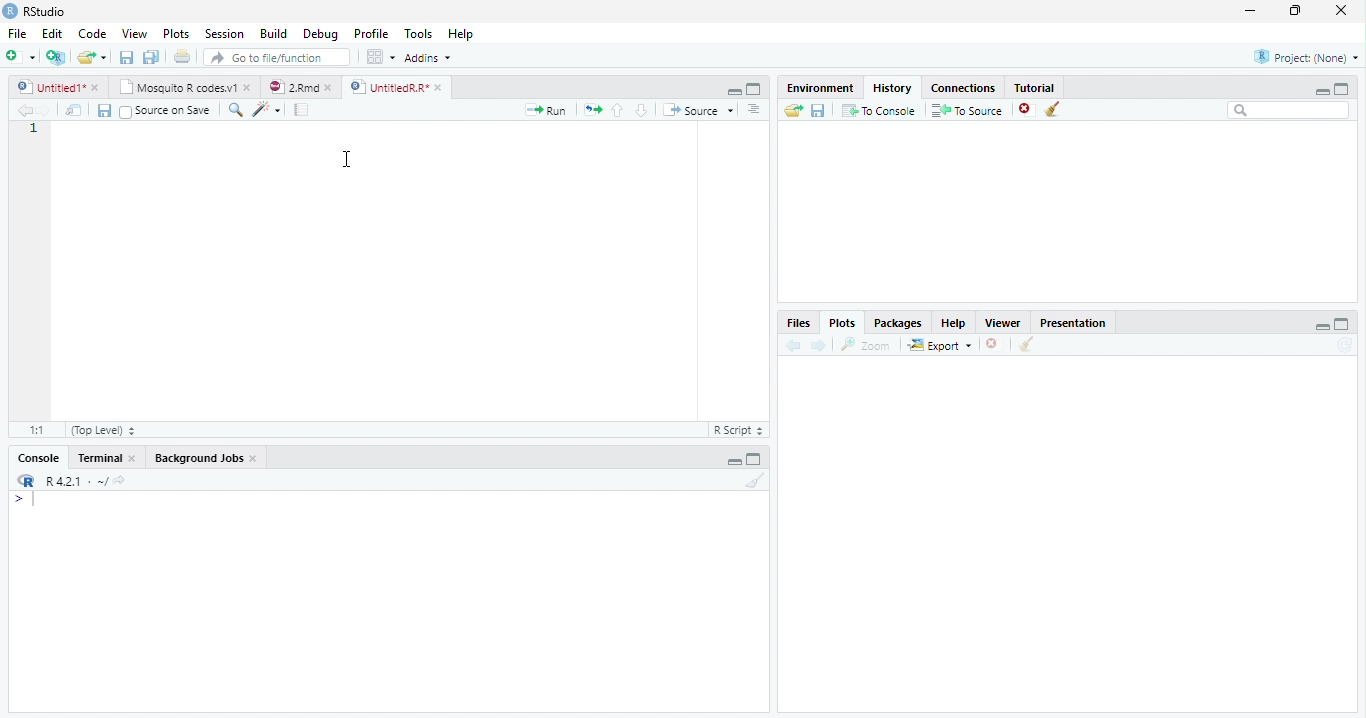 The width and height of the screenshot is (1366, 718). What do you see at coordinates (133, 34) in the screenshot?
I see `View` at bounding box center [133, 34].